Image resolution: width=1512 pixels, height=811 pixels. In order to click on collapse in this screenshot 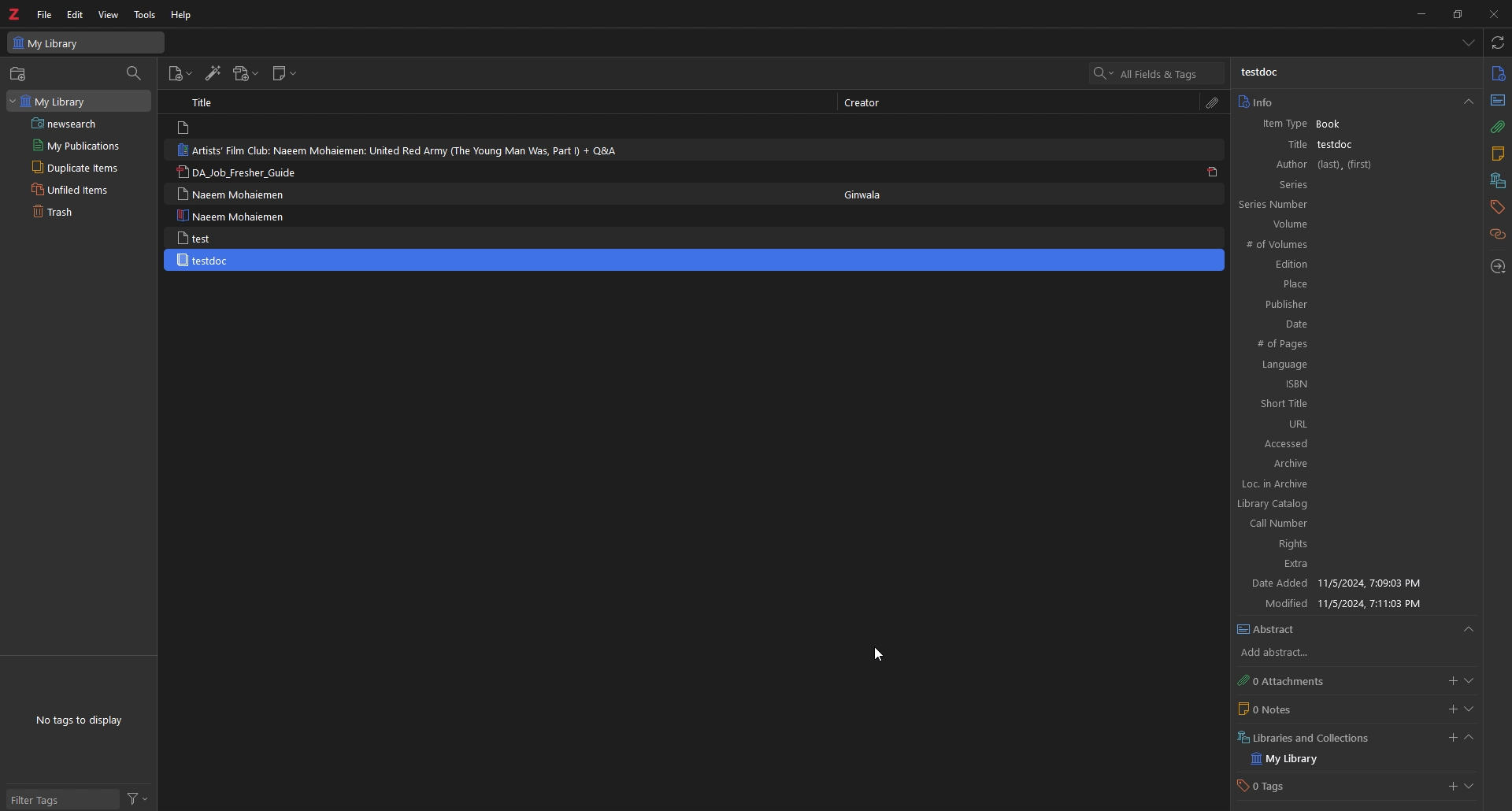, I will do `click(1469, 739)`.